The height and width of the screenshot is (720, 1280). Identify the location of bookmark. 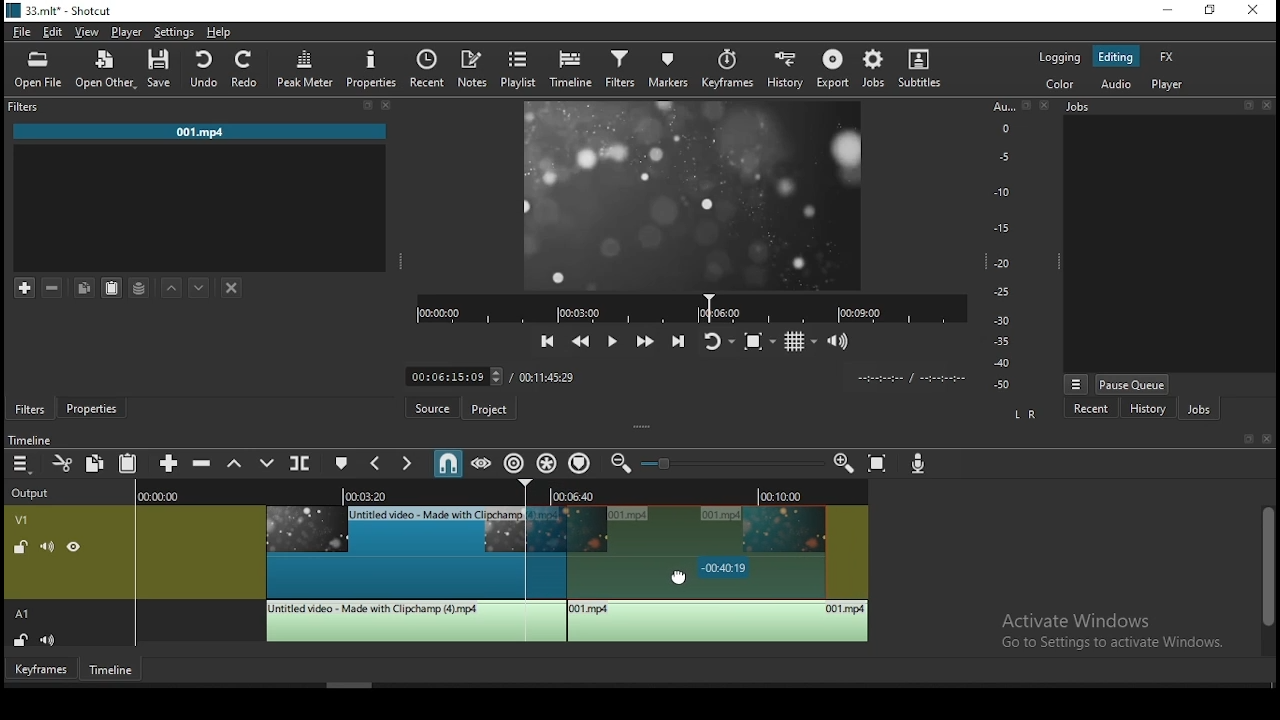
(1244, 439).